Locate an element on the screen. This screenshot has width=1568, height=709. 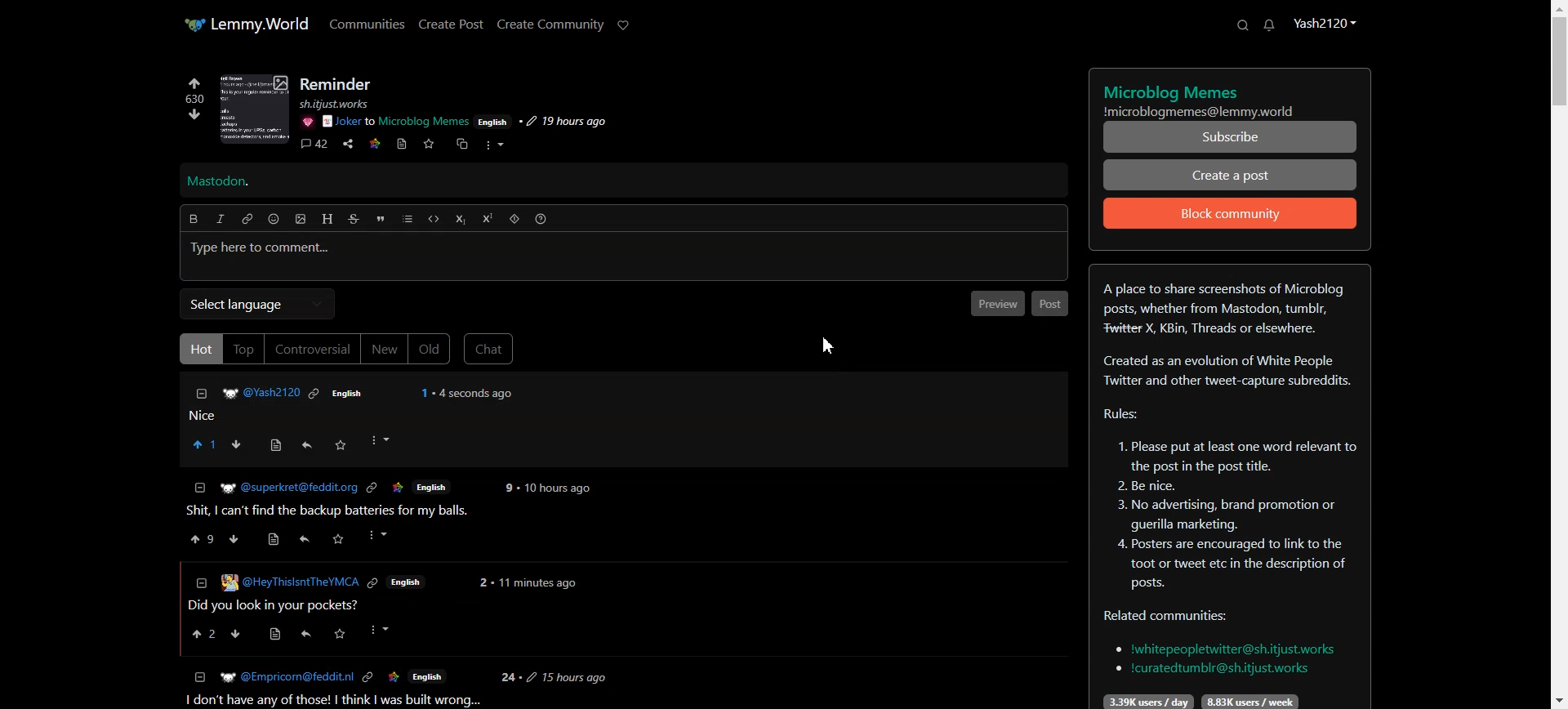
[=] is located at coordinates (200, 677).